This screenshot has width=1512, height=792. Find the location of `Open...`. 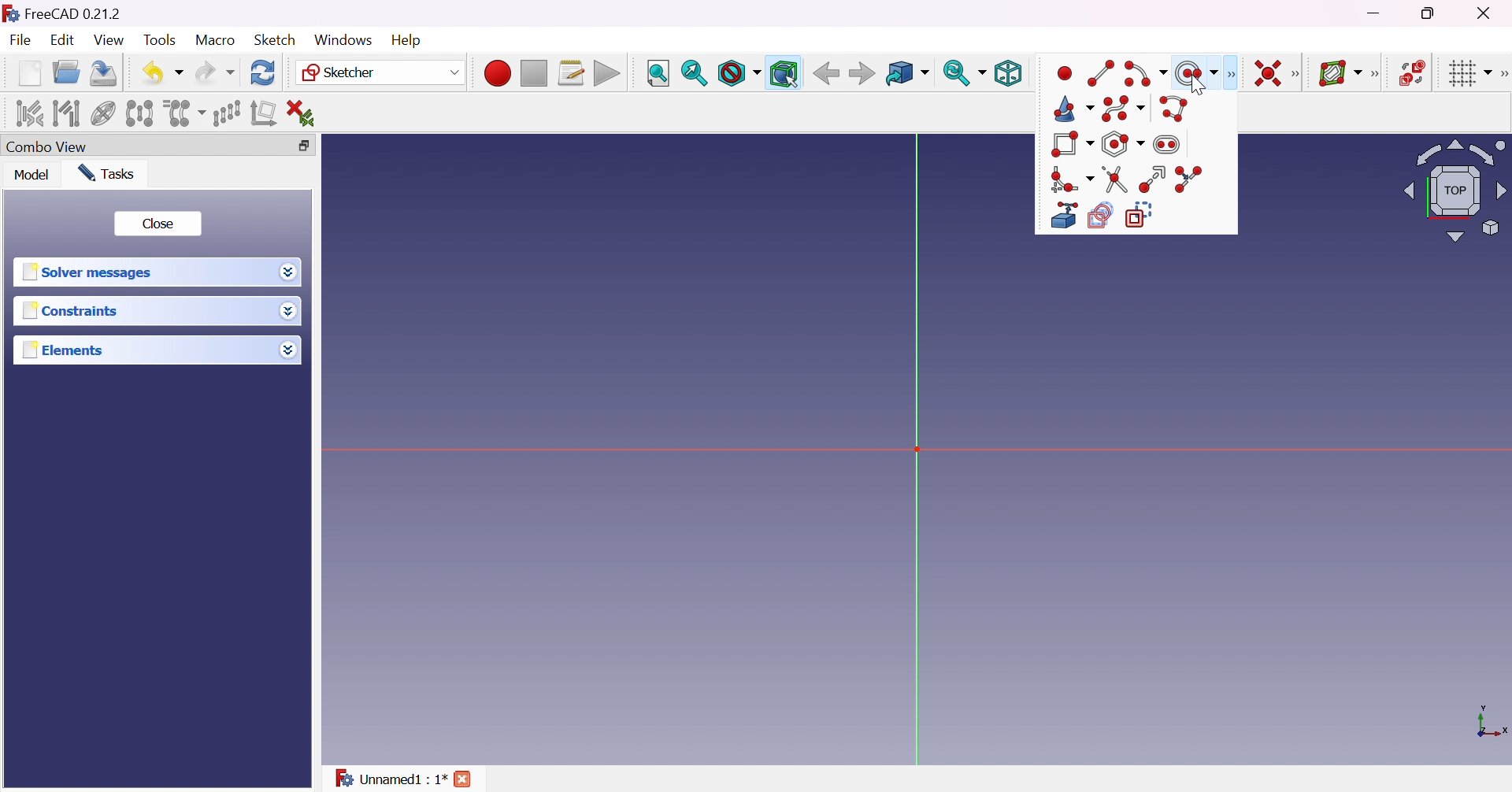

Open... is located at coordinates (65, 73).